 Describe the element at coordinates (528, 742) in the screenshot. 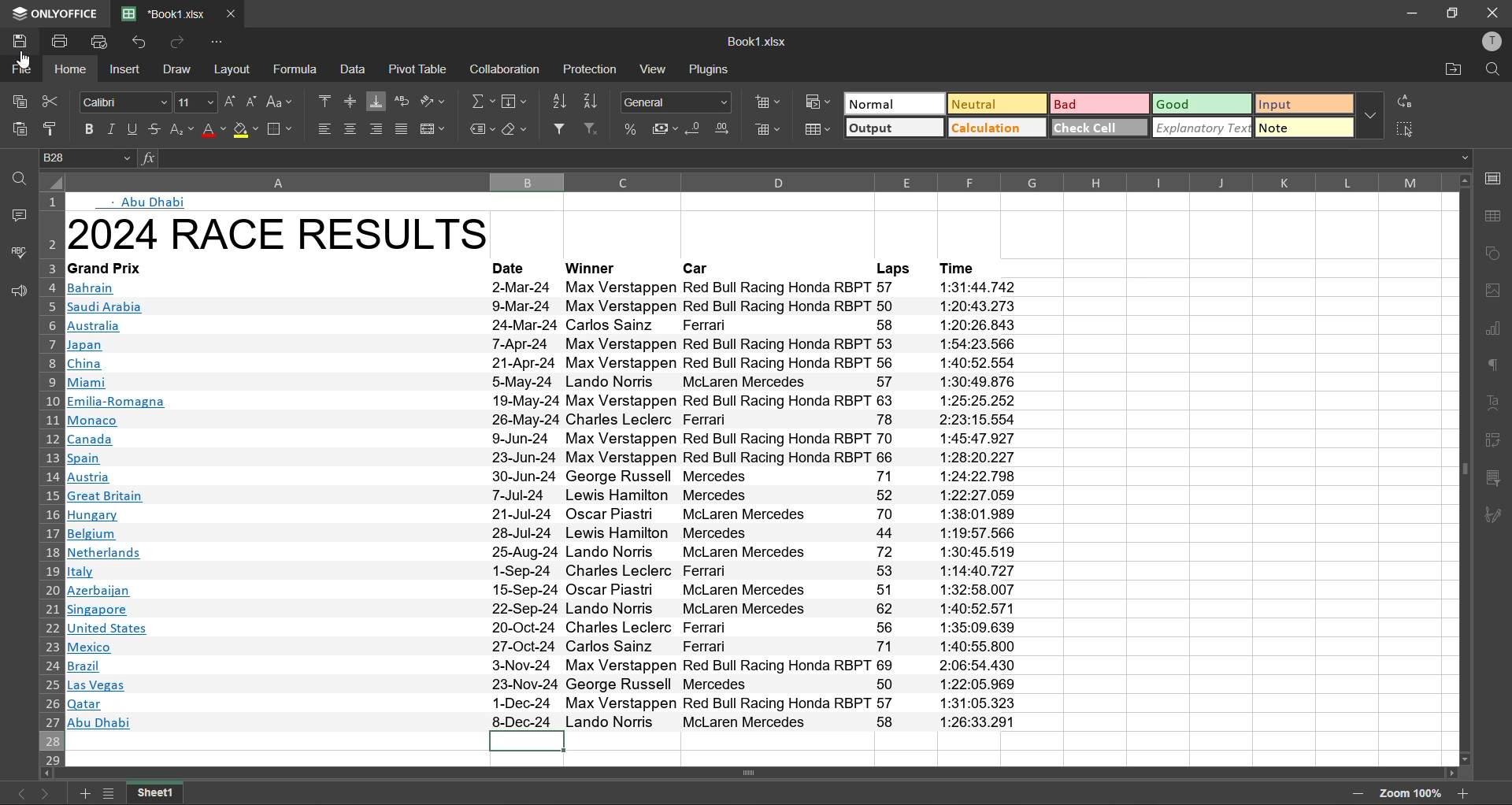

I see `current cell` at that location.